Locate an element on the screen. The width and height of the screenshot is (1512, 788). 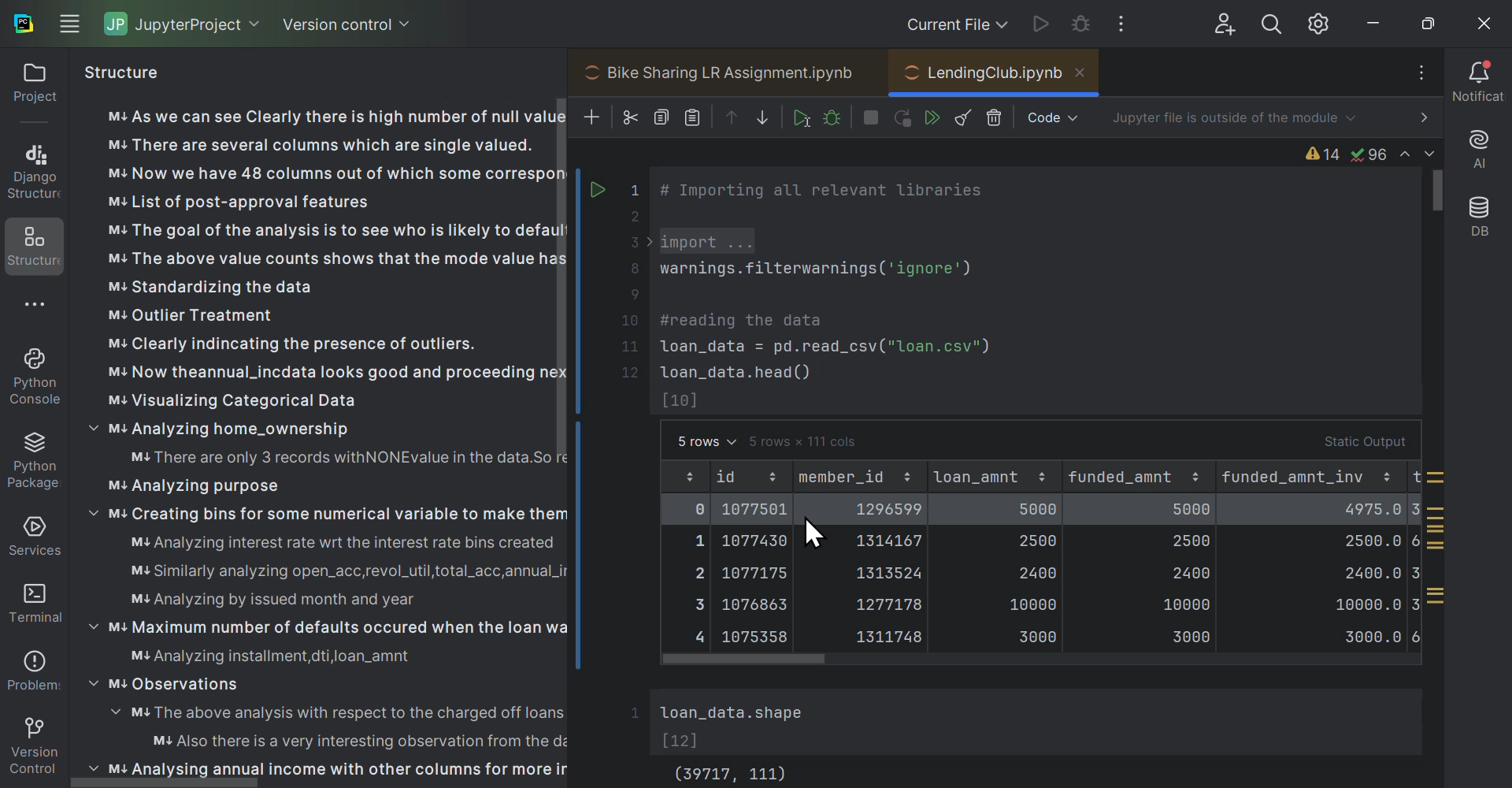
Python console is located at coordinates (30, 377).